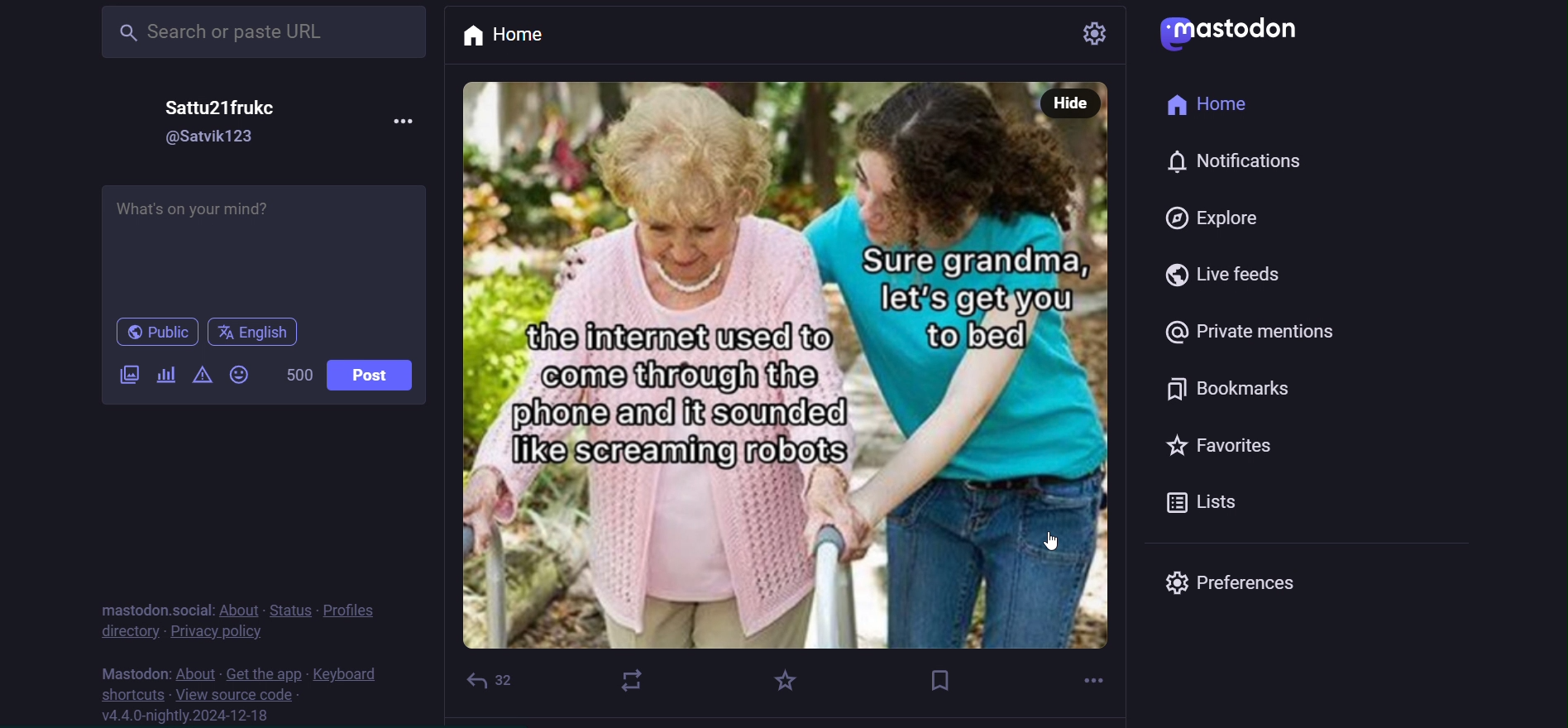 The image size is (1568, 728). Describe the element at coordinates (265, 673) in the screenshot. I see `get the app` at that location.